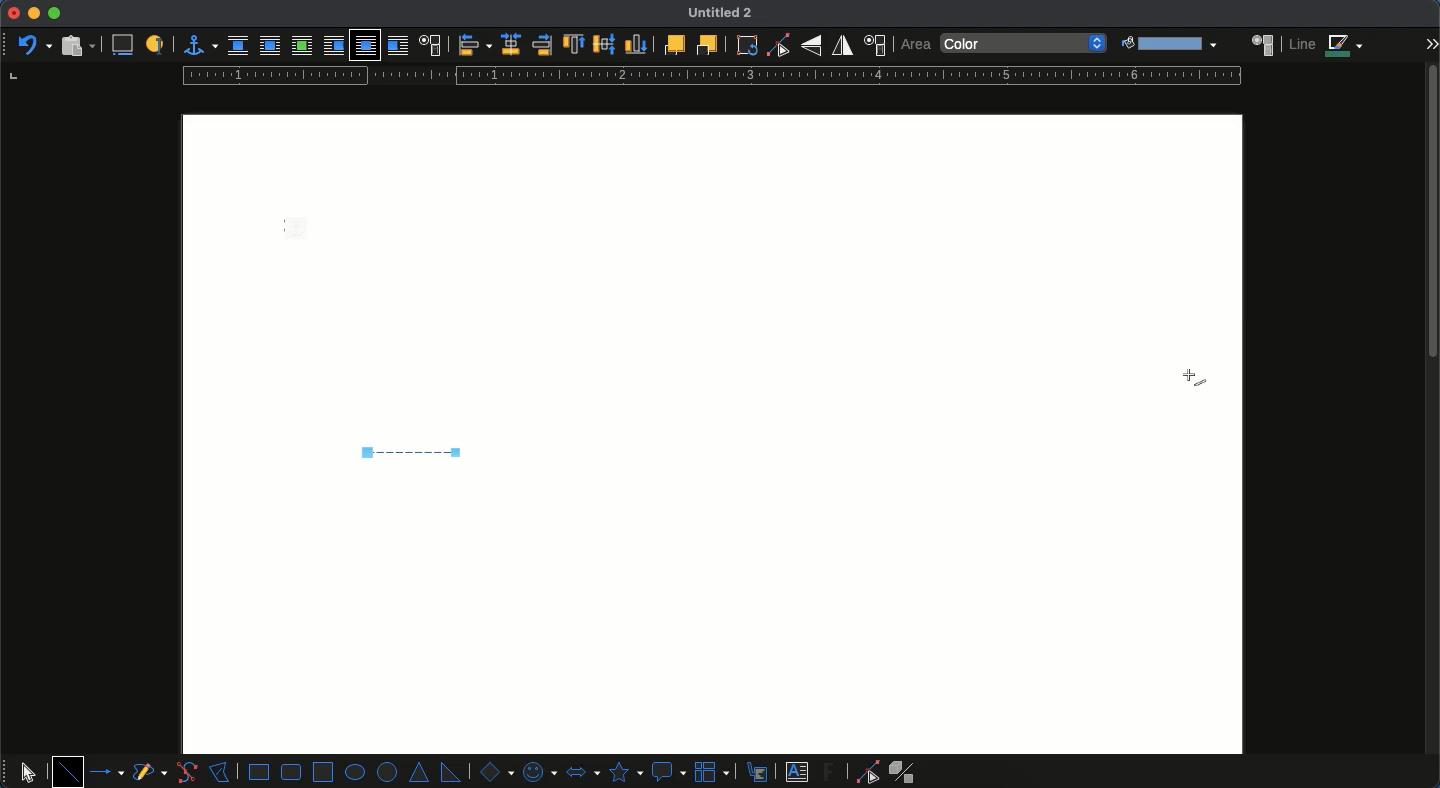 The image size is (1440, 788). Describe the element at coordinates (68, 771) in the screenshot. I see `line` at that location.